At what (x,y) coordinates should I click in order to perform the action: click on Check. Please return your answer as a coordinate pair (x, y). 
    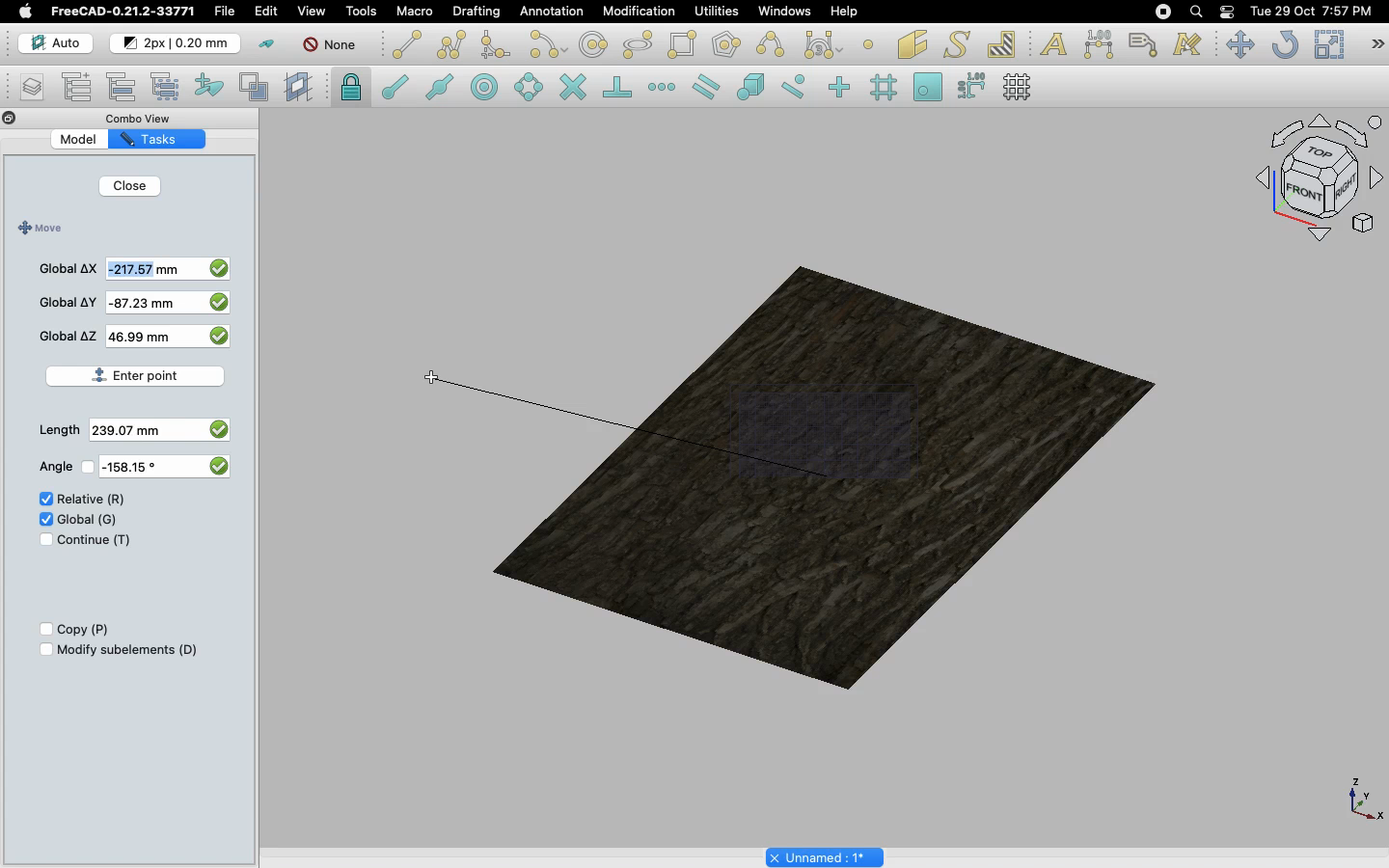
    Looking at the image, I should click on (44, 518).